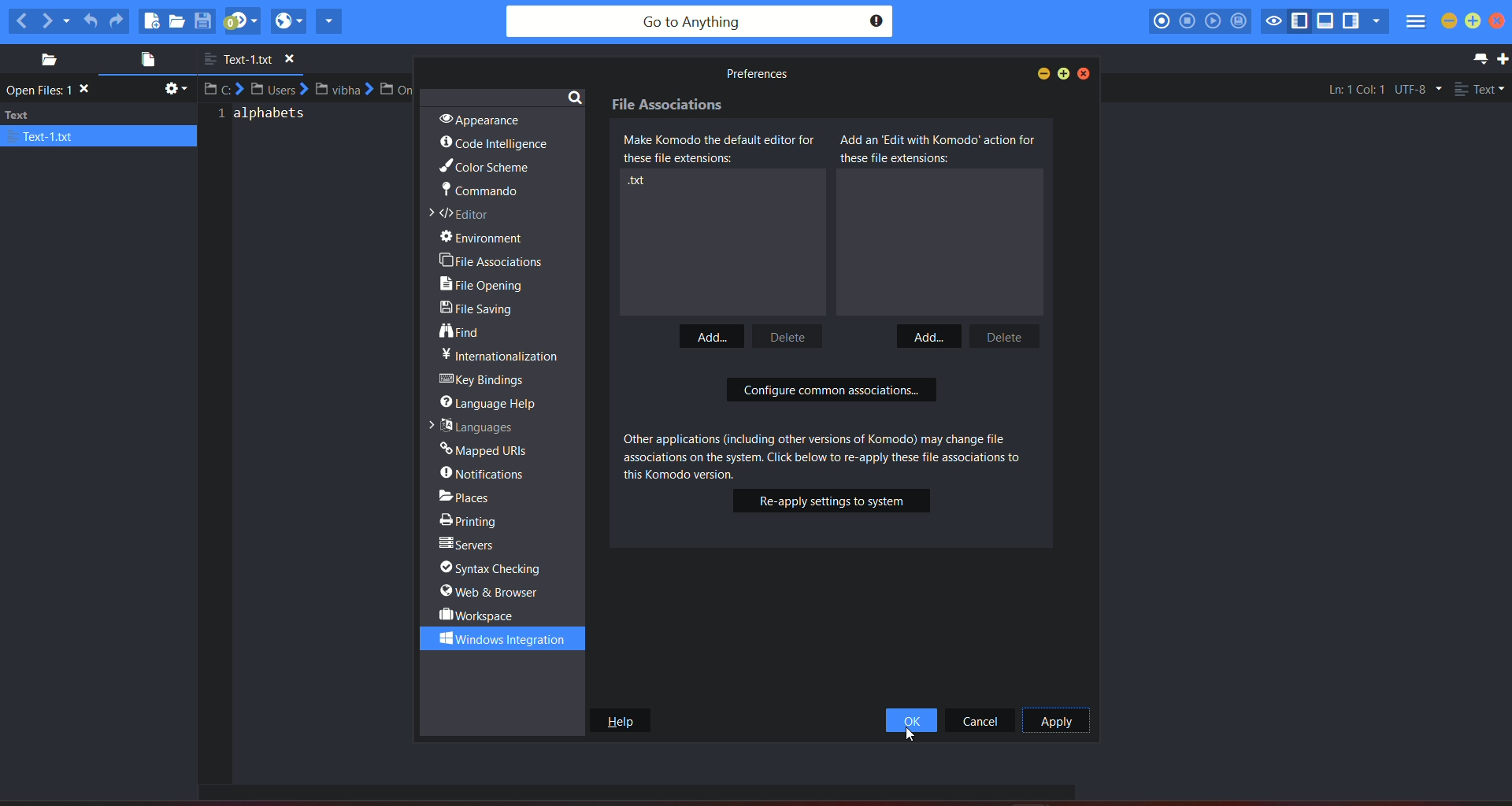 The width and height of the screenshot is (1512, 806). Describe the element at coordinates (242, 21) in the screenshot. I see `jump to next` at that location.